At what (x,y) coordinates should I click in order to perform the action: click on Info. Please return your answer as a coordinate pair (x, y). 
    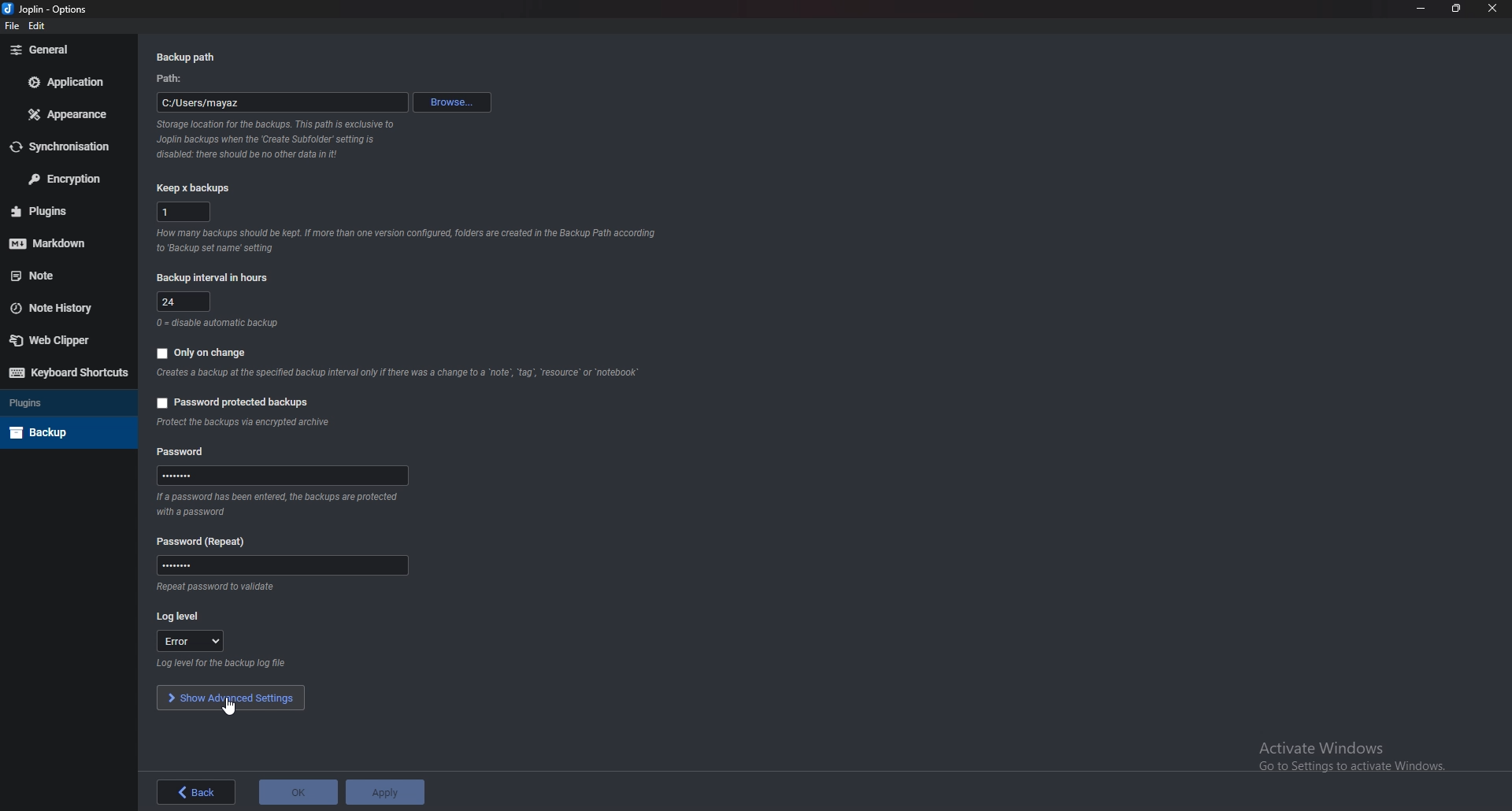
    Looking at the image, I should click on (245, 424).